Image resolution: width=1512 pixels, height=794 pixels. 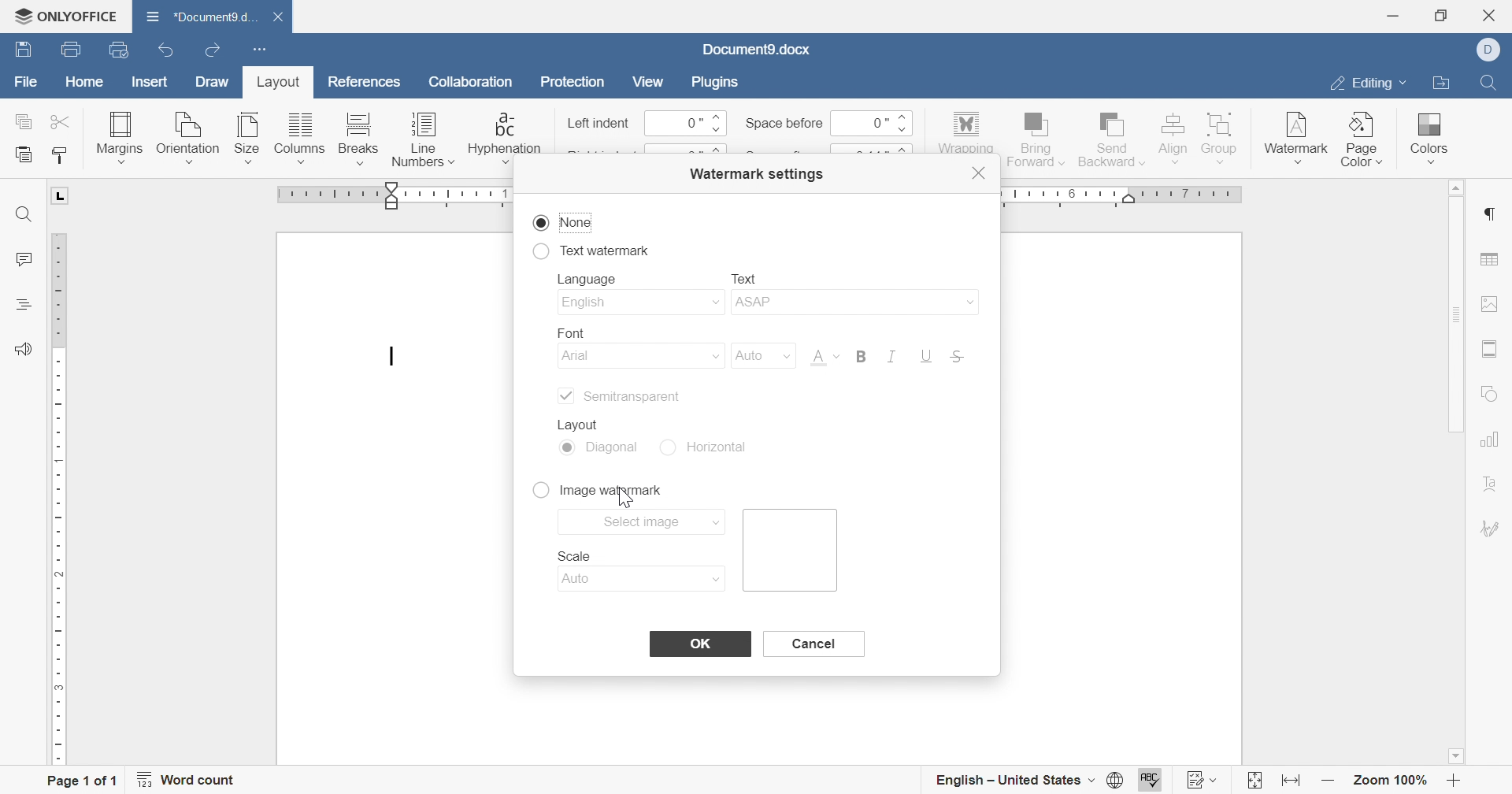 What do you see at coordinates (256, 47) in the screenshot?
I see `customize quick access toolbar` at bounding box center [256, 47].